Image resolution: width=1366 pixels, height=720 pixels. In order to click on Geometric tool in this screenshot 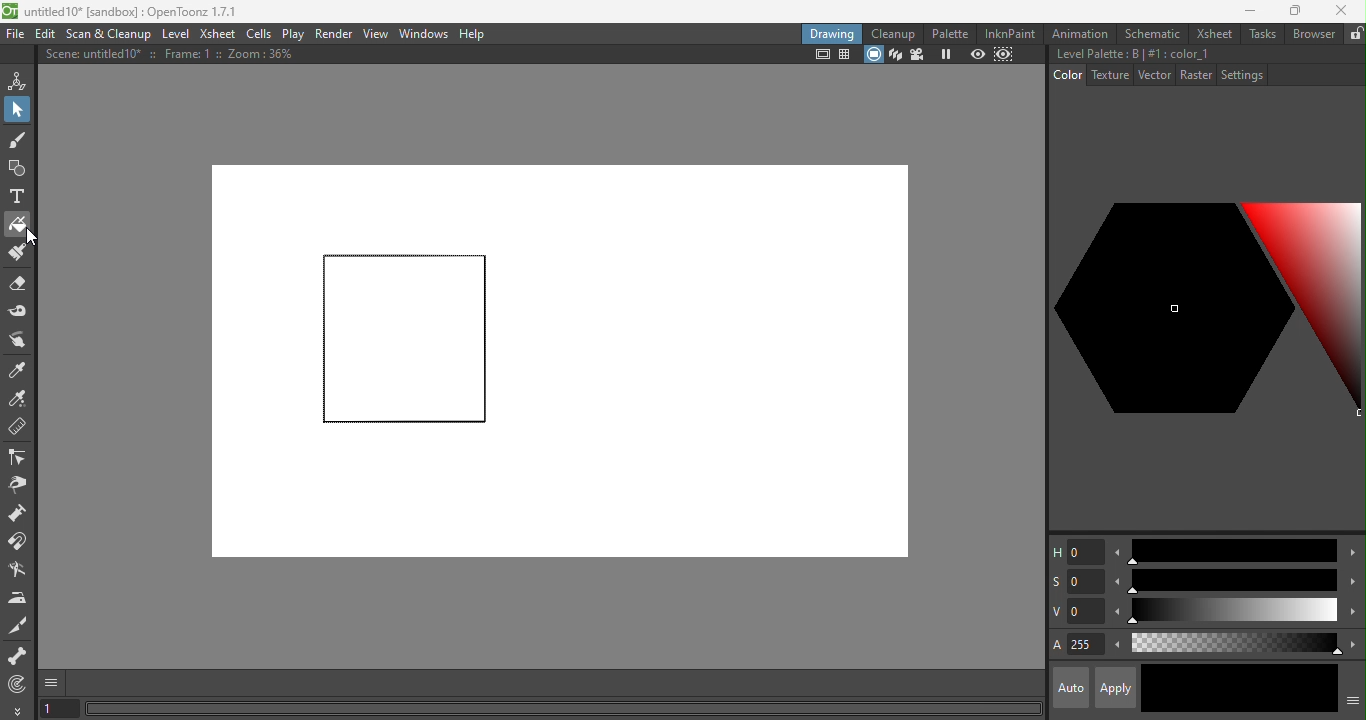, I will do `click(15, 169)`.